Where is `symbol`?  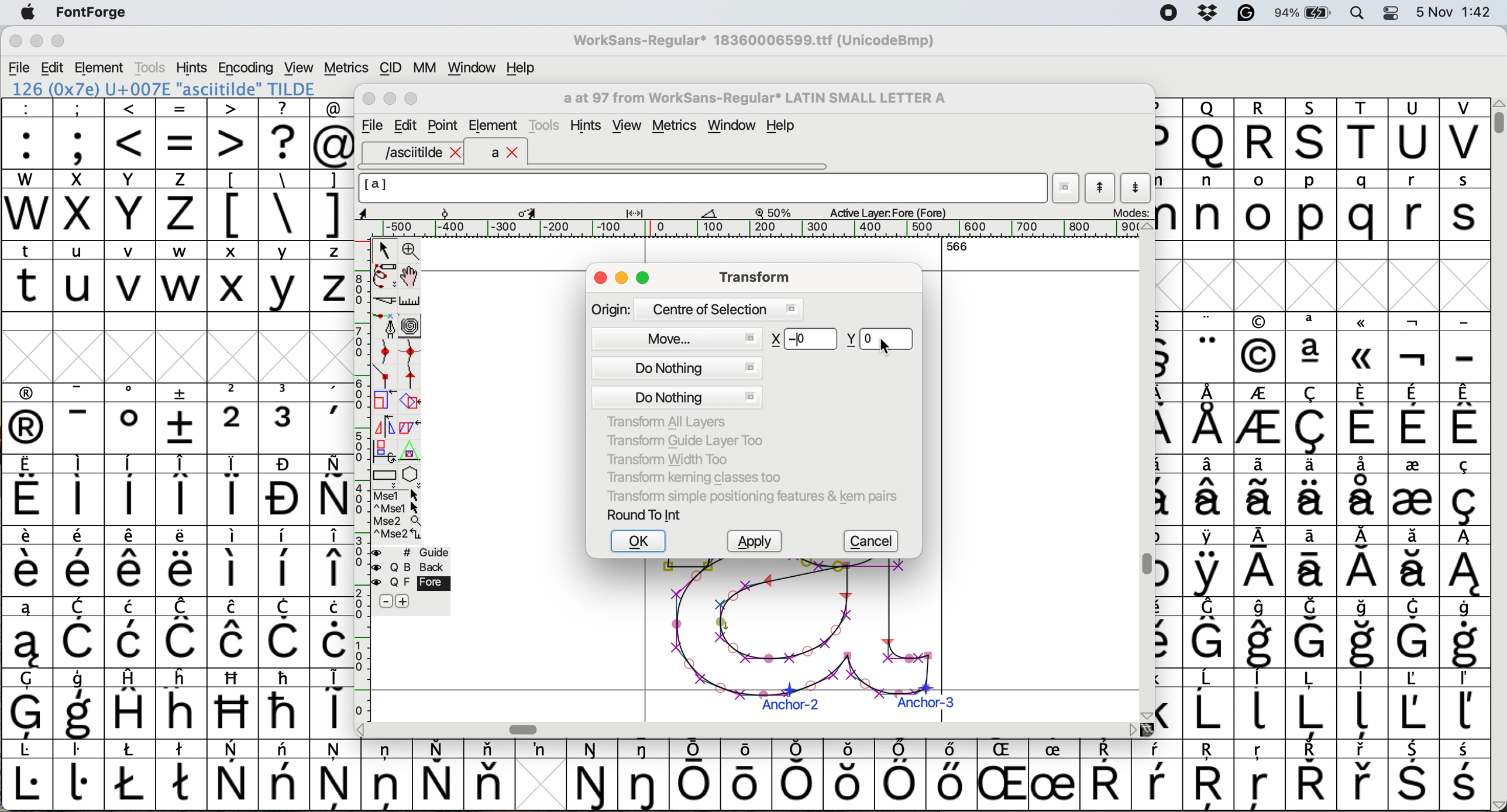 symbol is located at coordinates (749, 773).